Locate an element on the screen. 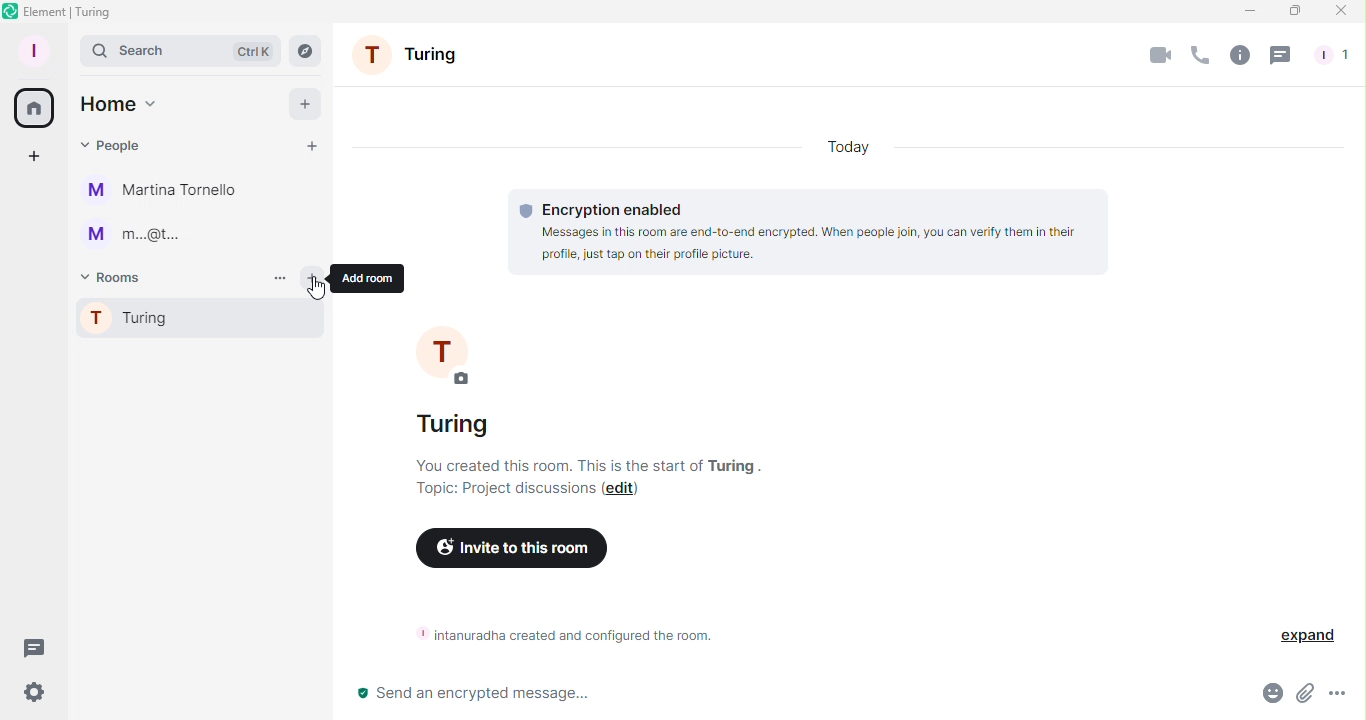 The height and width of the screenshot is (720, 1366). m...@t.. is located at coordinates (130, 235).